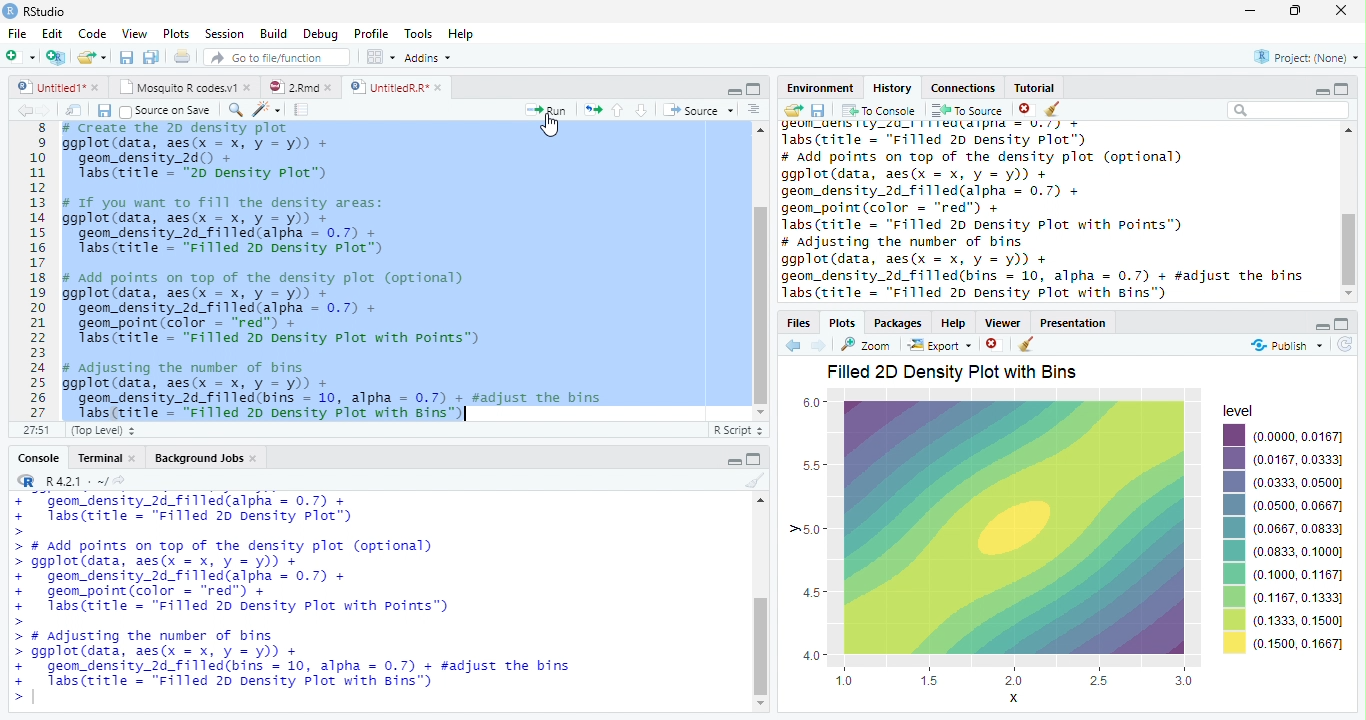  Describe the element at coordinates (38, 459) in the screenshot. I see `Console` at that location.